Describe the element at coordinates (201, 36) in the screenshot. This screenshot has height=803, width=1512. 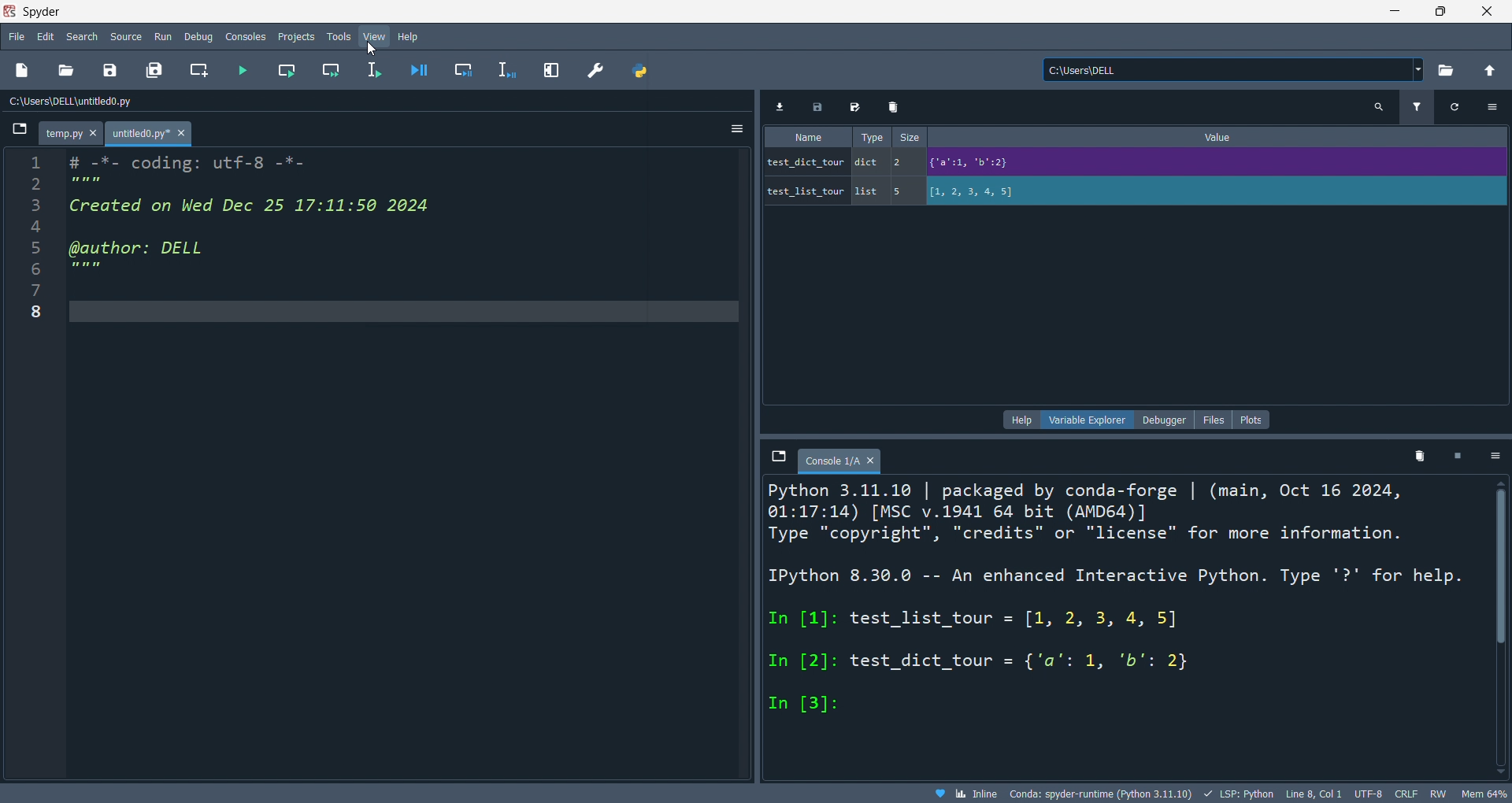
I see `debug` at that location.